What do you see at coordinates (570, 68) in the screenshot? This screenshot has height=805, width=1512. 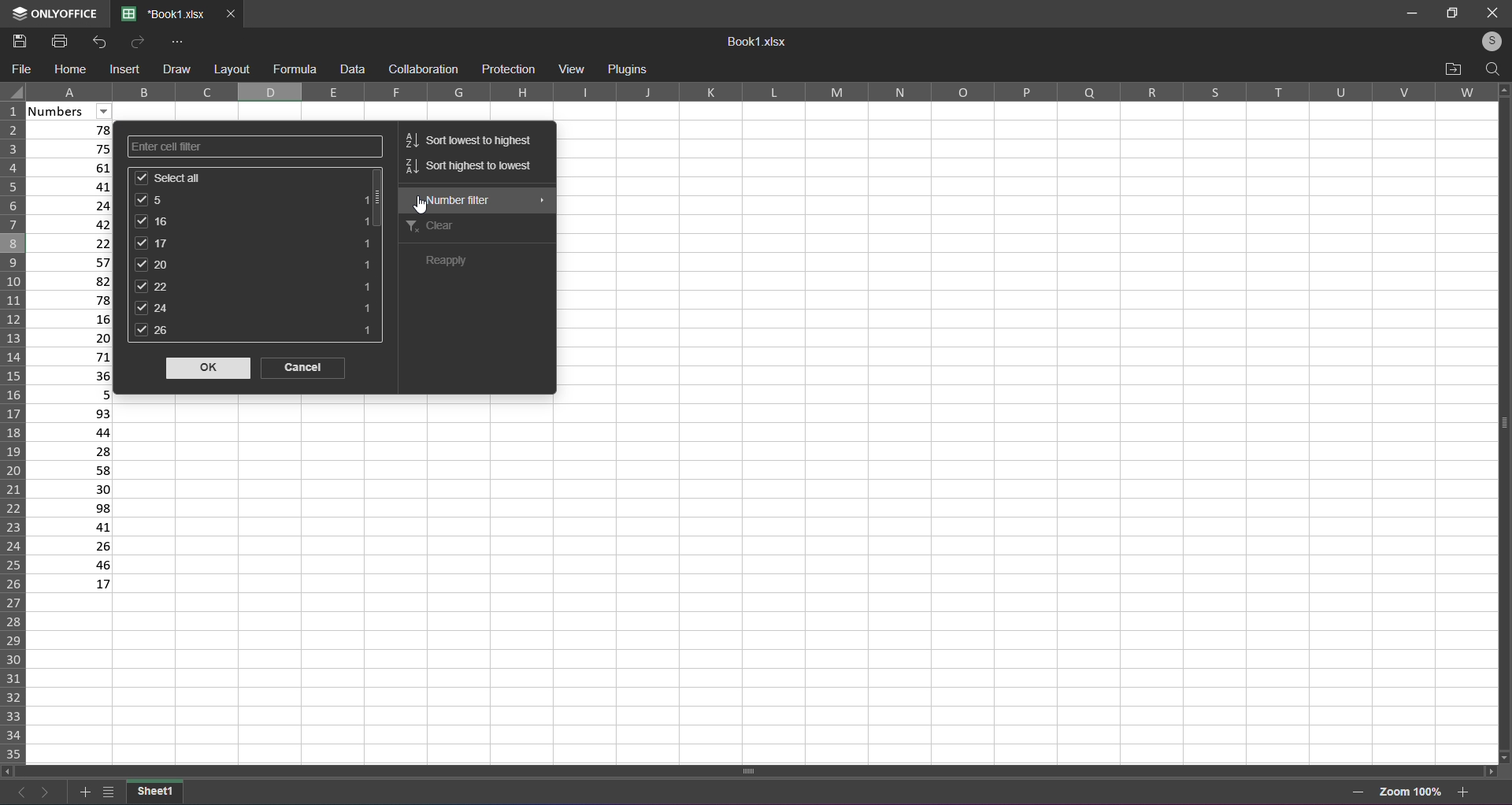 I see `view` at bounding box center [570, 68].